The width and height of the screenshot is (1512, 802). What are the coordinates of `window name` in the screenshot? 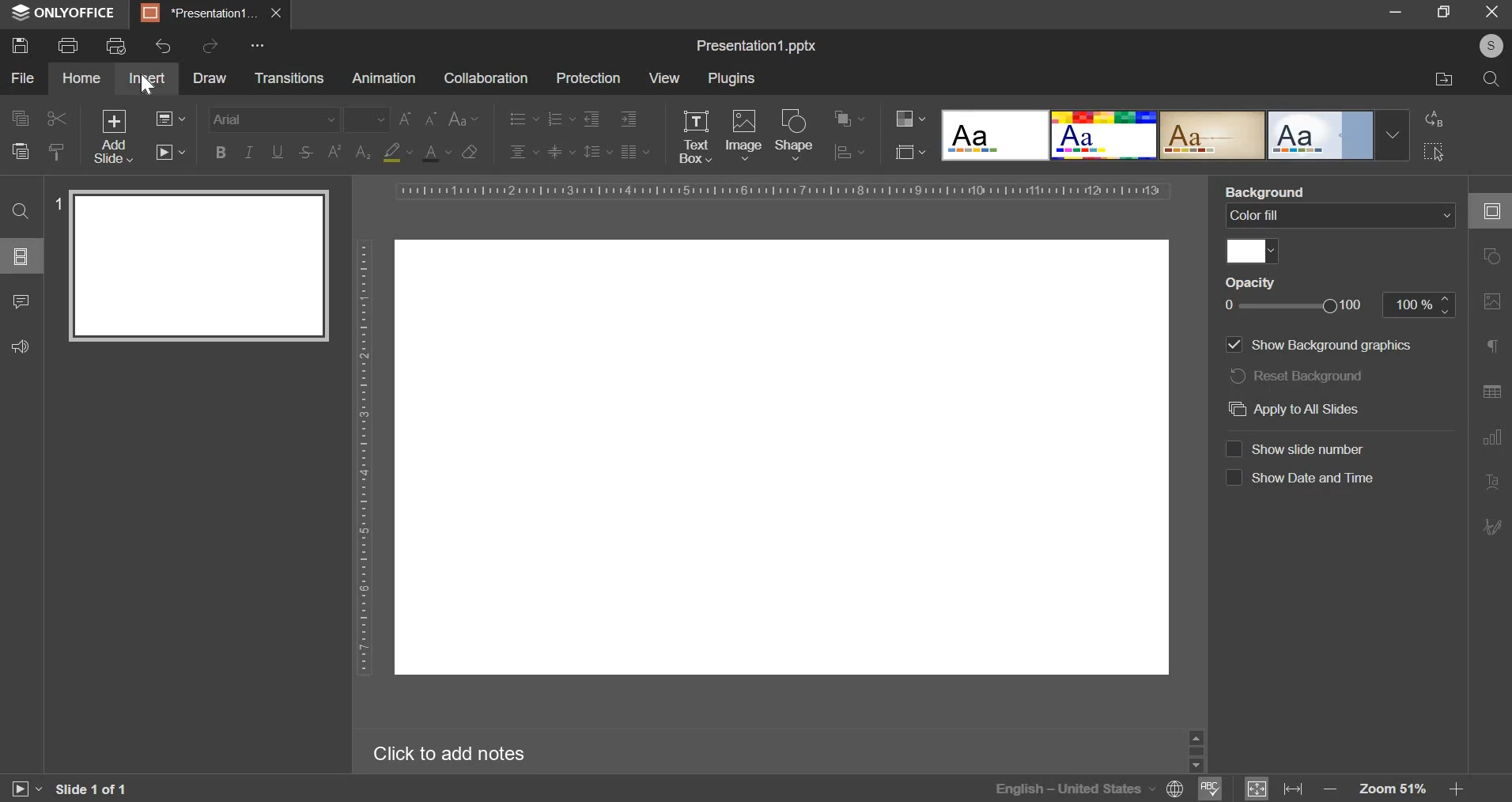 It's located at (65, 14).